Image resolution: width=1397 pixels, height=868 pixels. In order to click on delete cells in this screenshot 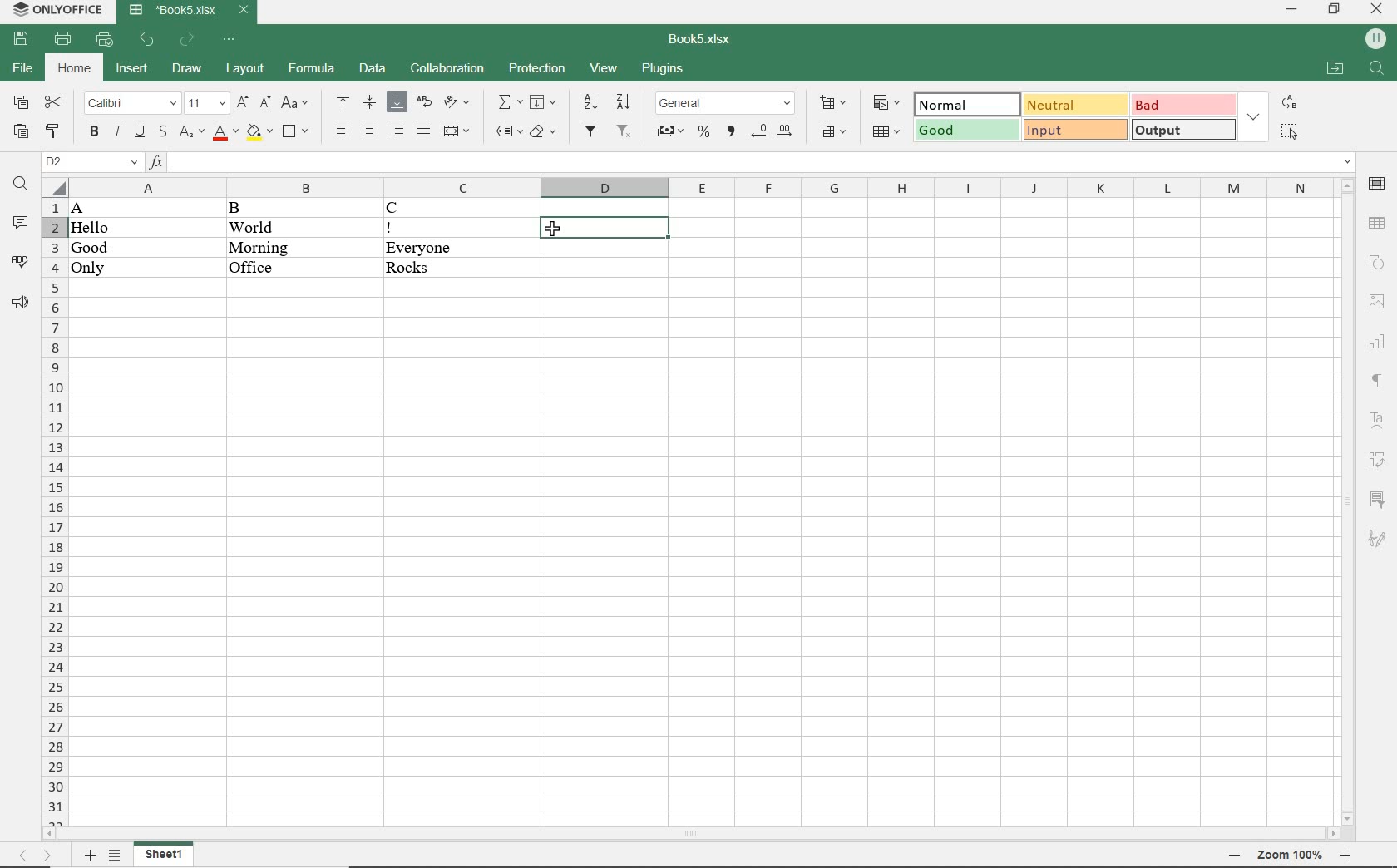, I will do `click(837, 132)`.